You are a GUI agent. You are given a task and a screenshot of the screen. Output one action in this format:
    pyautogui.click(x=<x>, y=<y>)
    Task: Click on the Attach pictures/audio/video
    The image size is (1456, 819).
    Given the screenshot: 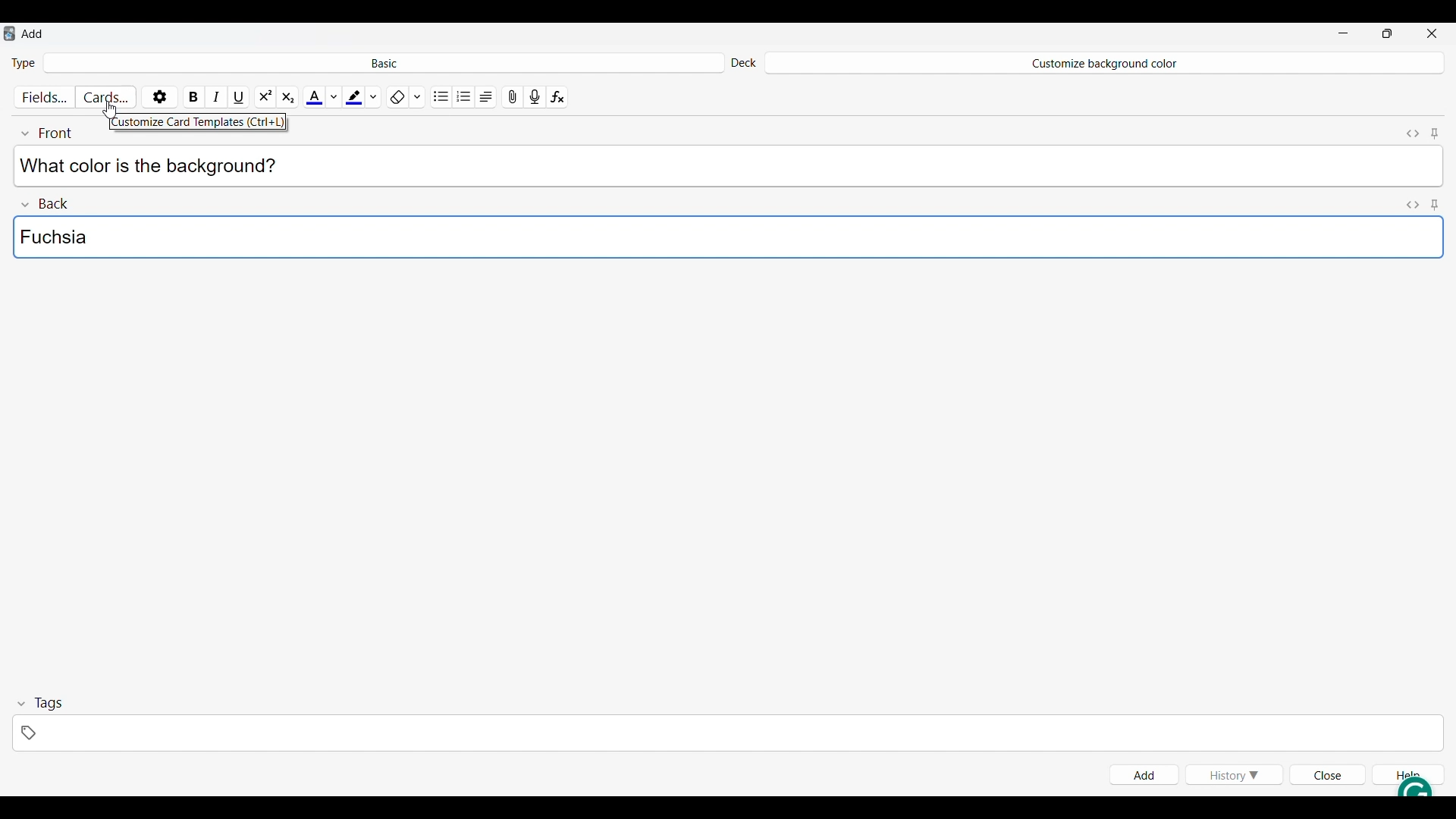 What is the action you would take?
    pyautogui.click(x=513, y=95)
    